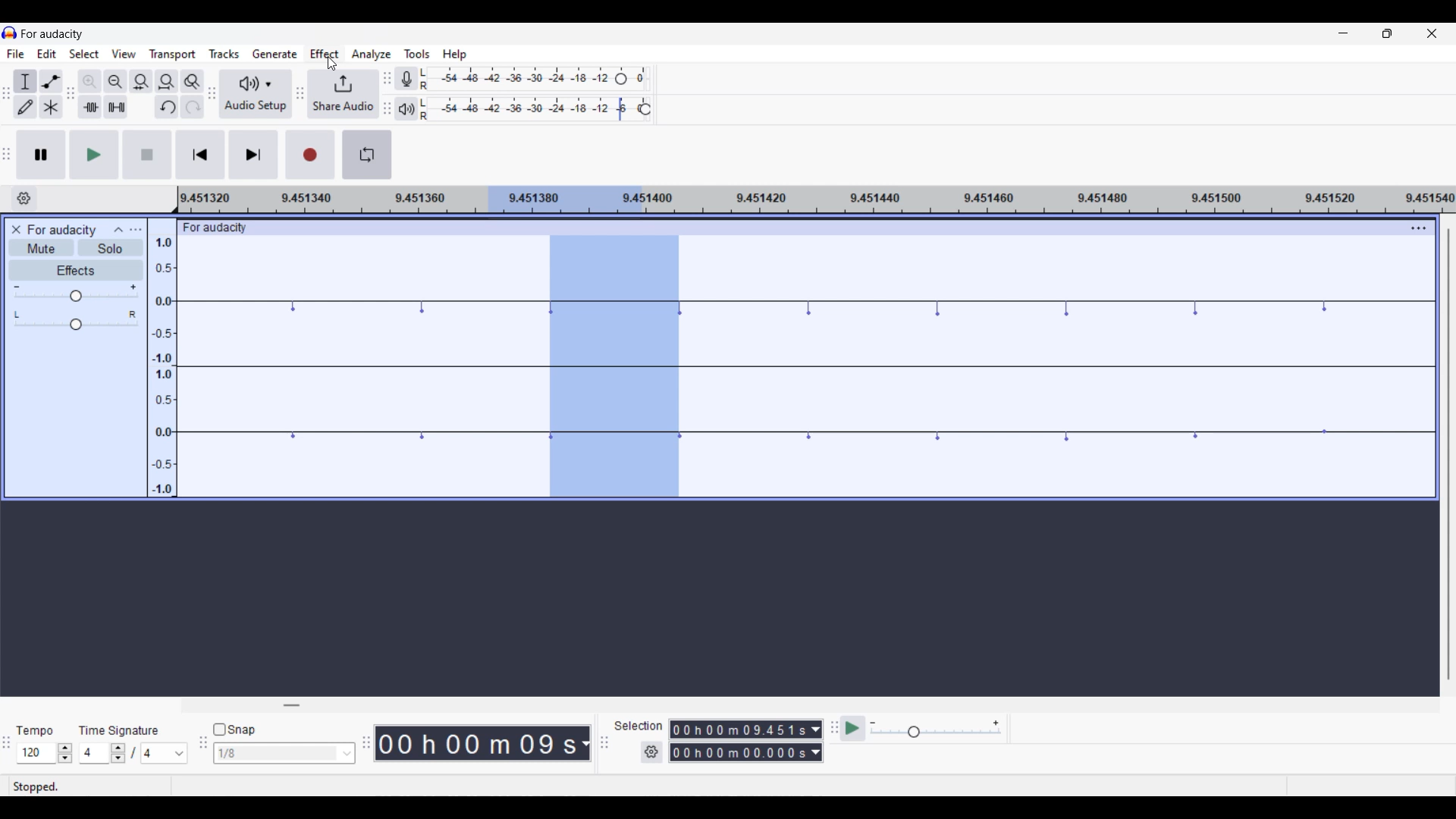 The image size is (1456, 819). I want to click on Audio setup, so click(256, 93).